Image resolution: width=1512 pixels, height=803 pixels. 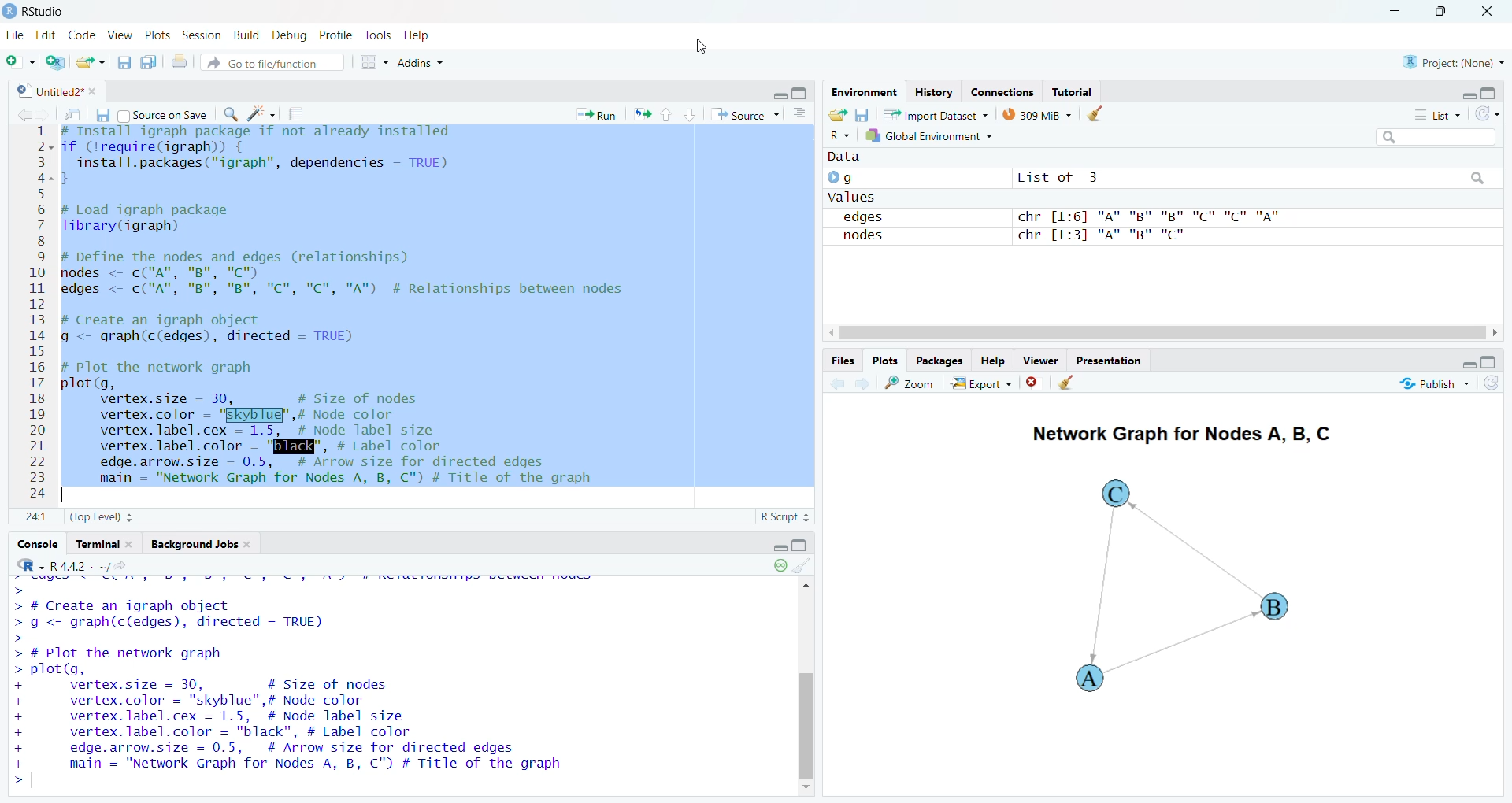 I want to click on add, so click(x=18, y=63).